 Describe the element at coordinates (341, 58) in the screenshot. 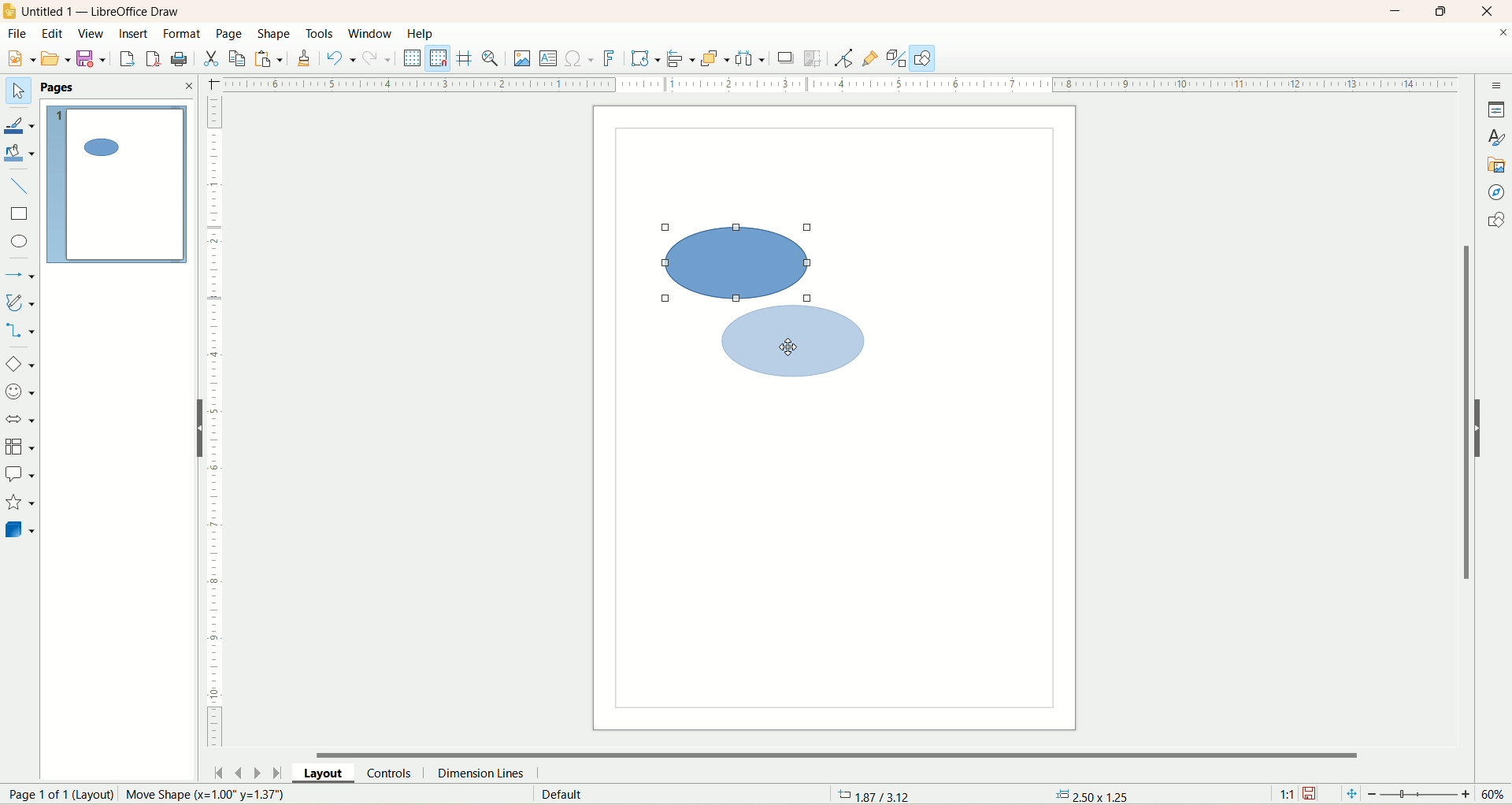

I see `undo` at that location.